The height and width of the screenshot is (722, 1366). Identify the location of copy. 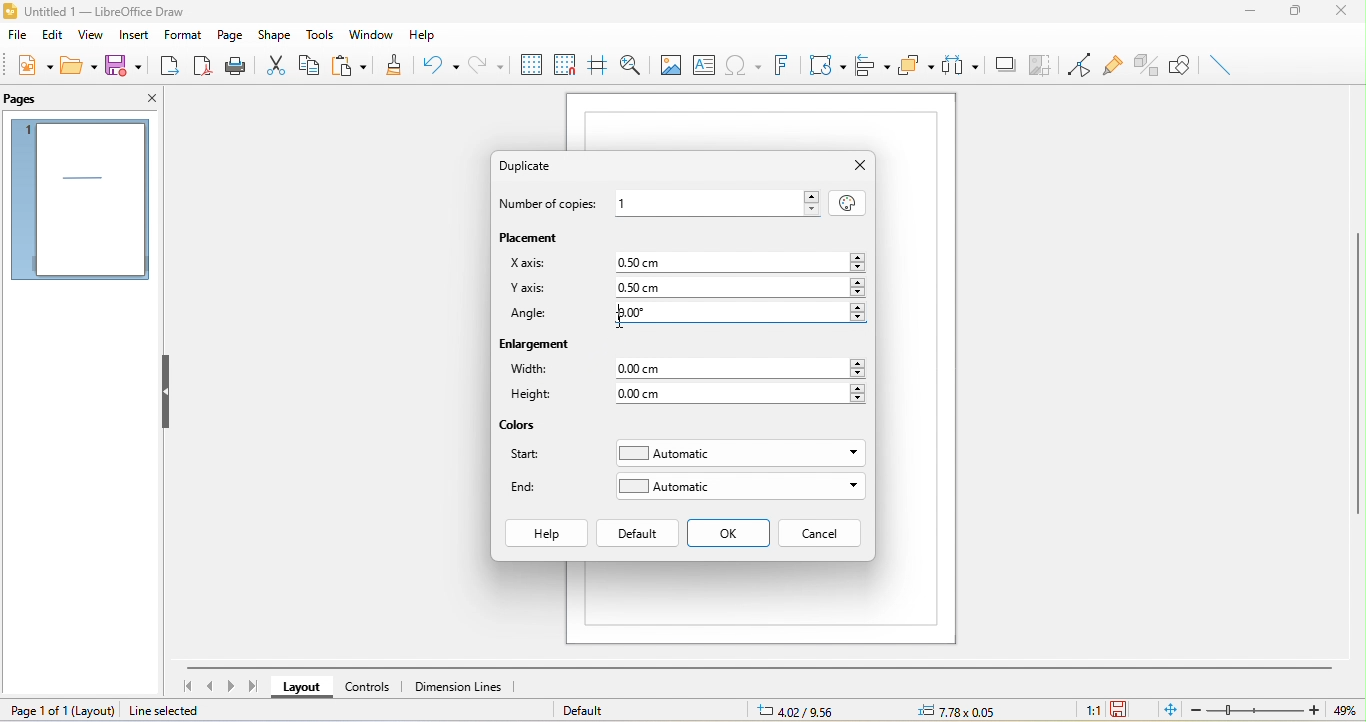
(316, 68).